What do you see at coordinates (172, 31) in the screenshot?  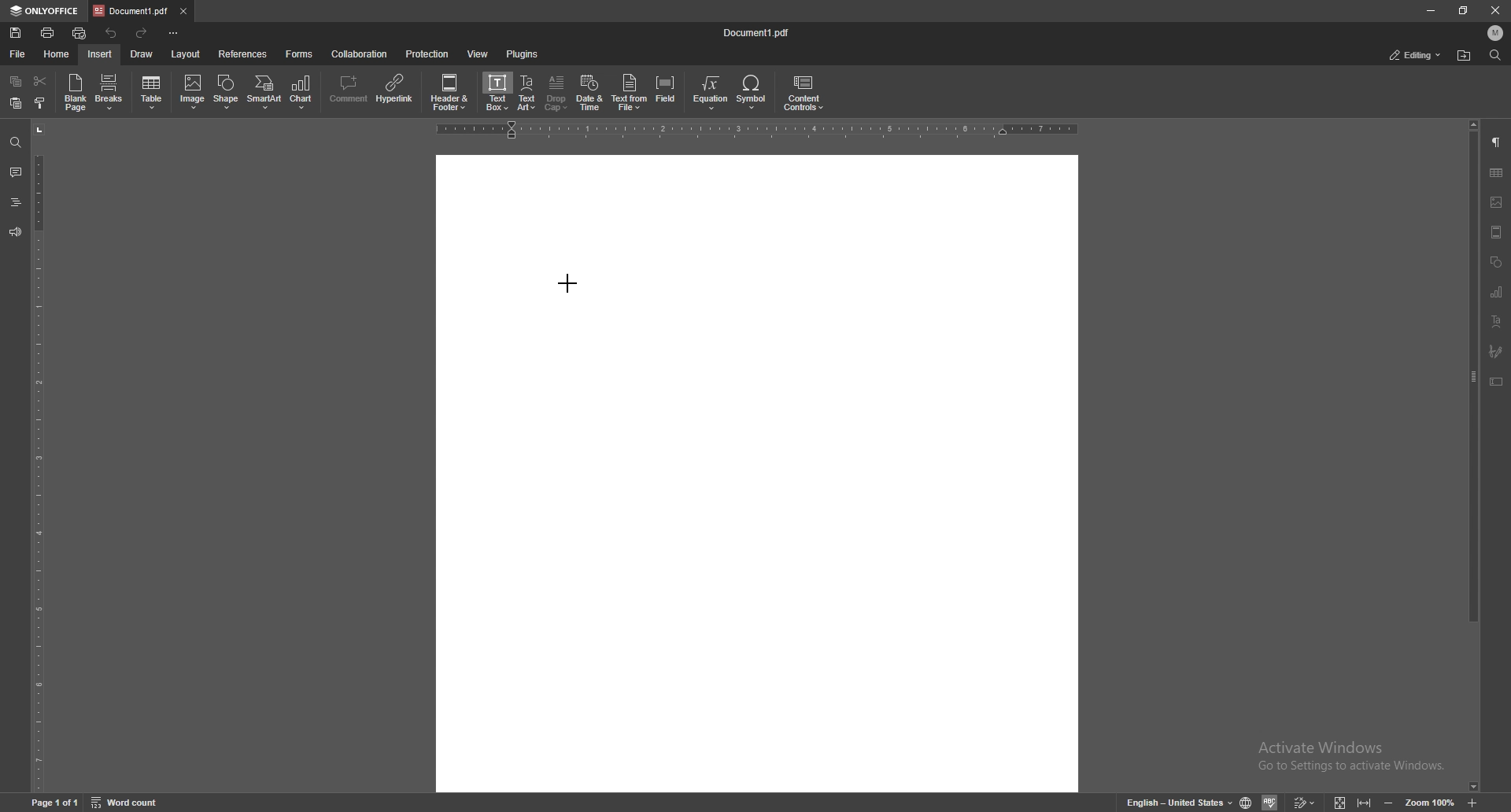 I see `customize toolbar` at bounding box center [172, 31].